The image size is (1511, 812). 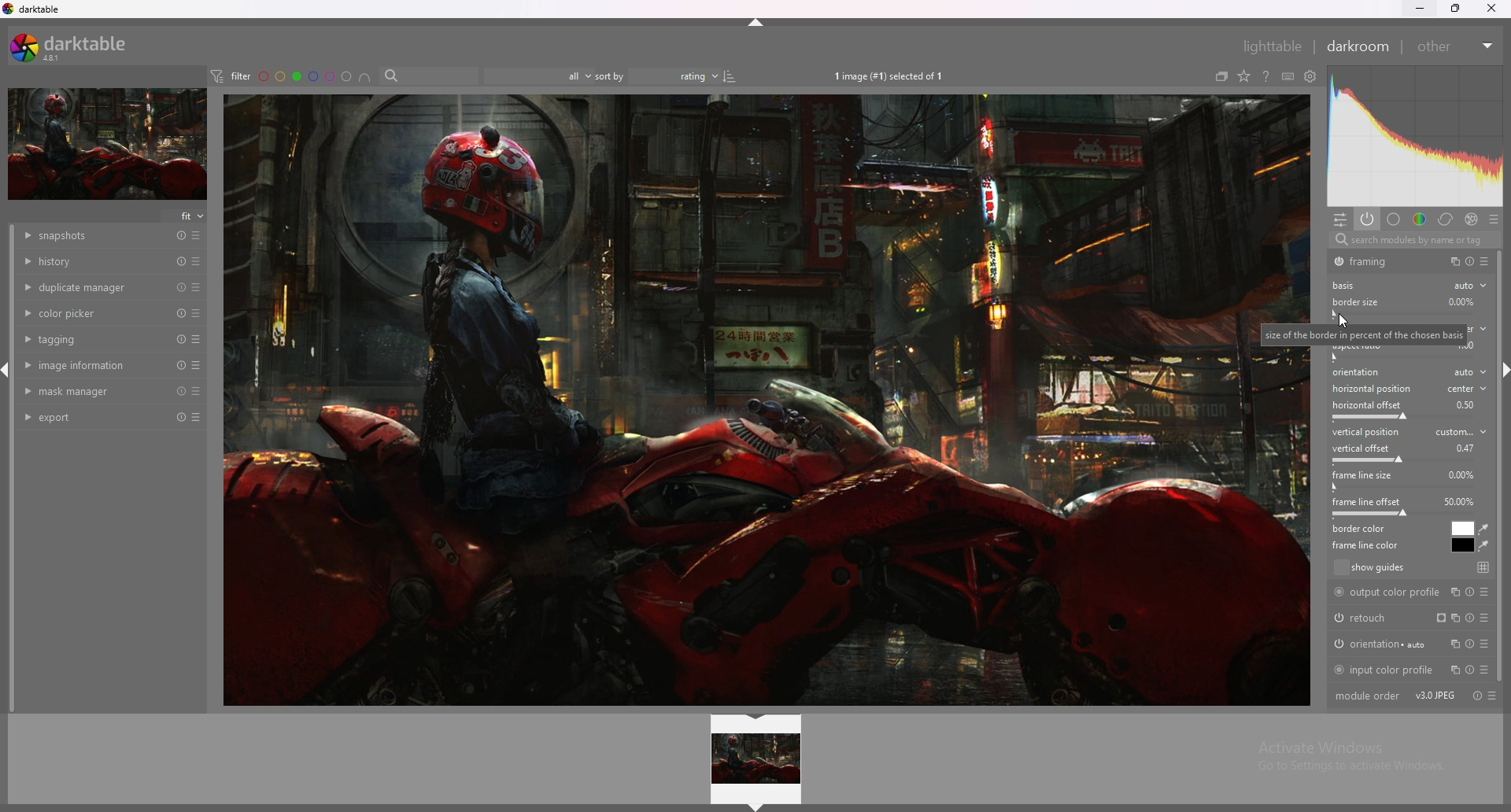 What do you see at coordinates (179, 261) in the screenshot?
I see `reset` at bounding box center [179, 261].